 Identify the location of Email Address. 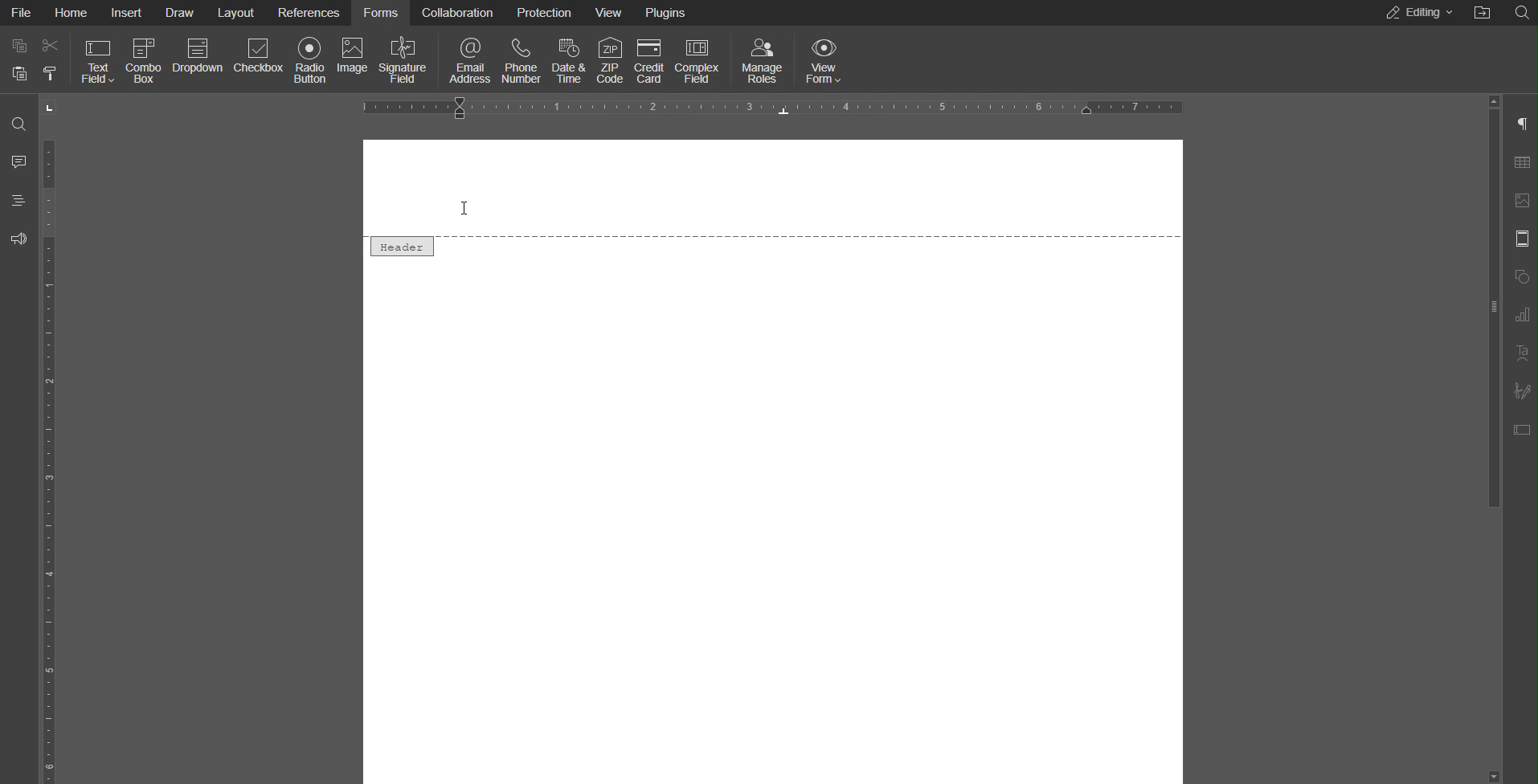
(465, 59).